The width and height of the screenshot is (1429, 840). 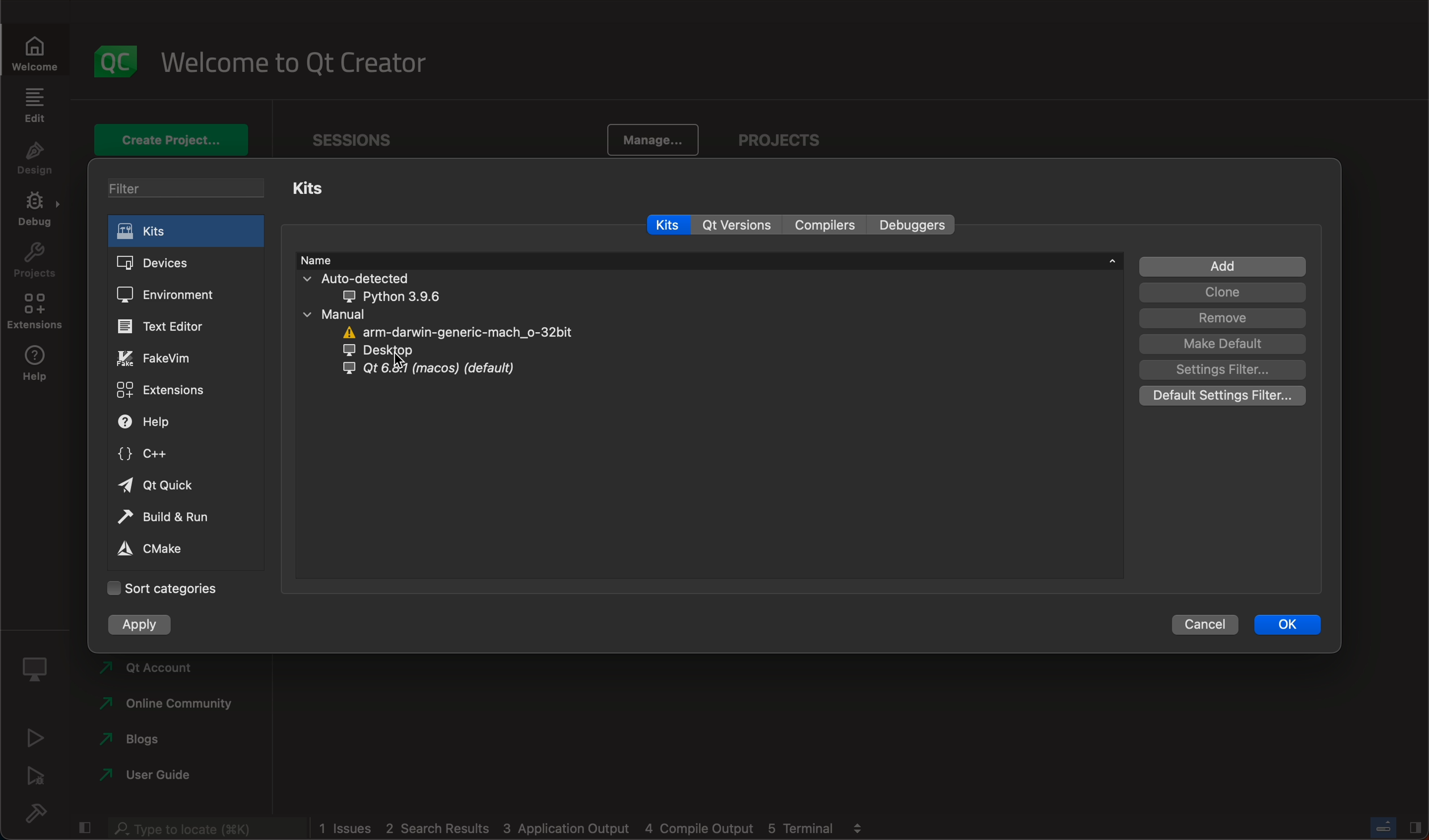 What do you see at coordinates (164, 485) in the screenshot?
I see `qt quick` at bounding box center [164, 485].